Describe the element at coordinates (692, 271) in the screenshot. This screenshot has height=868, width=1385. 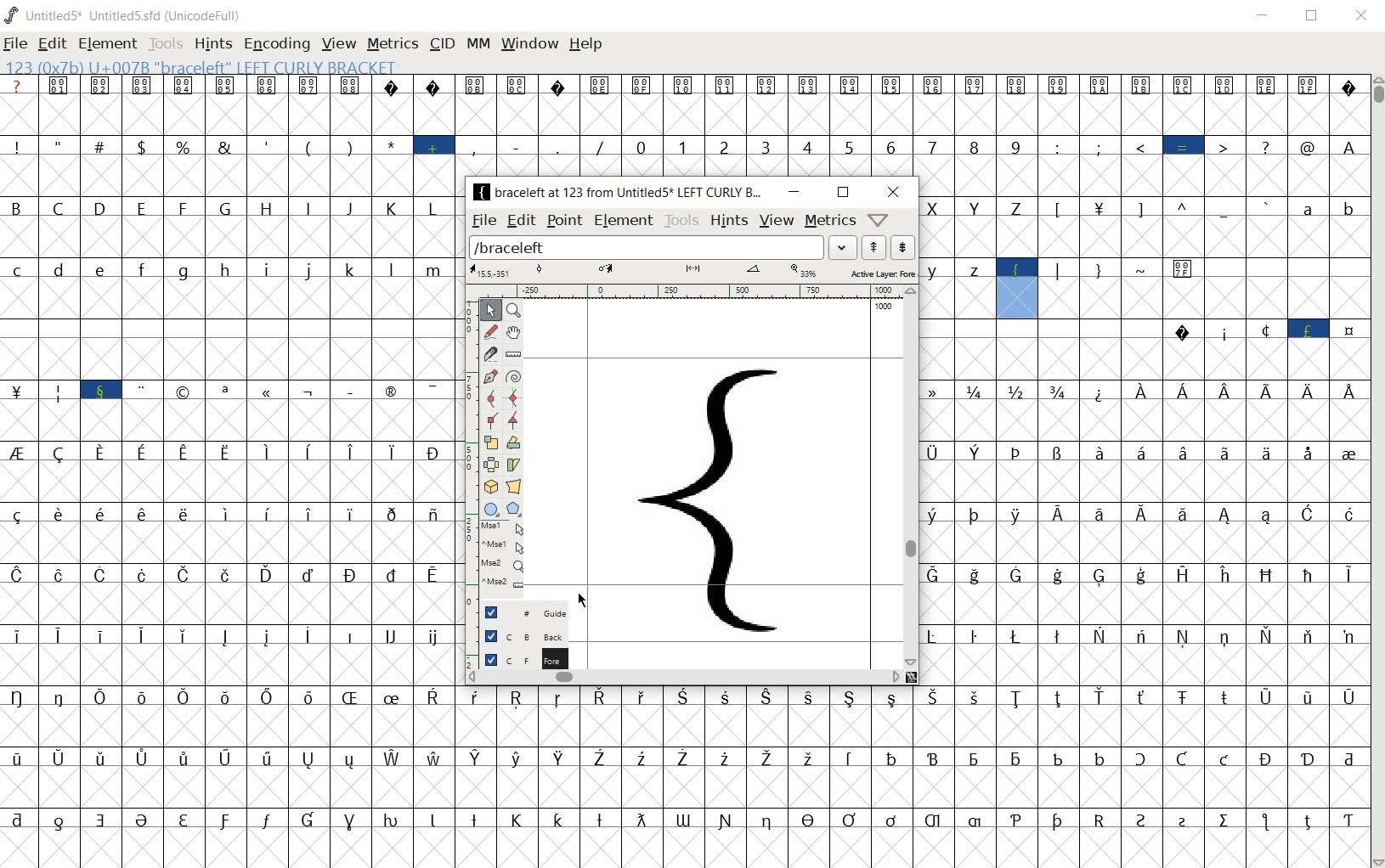
I see `active layer: fore` at that location.